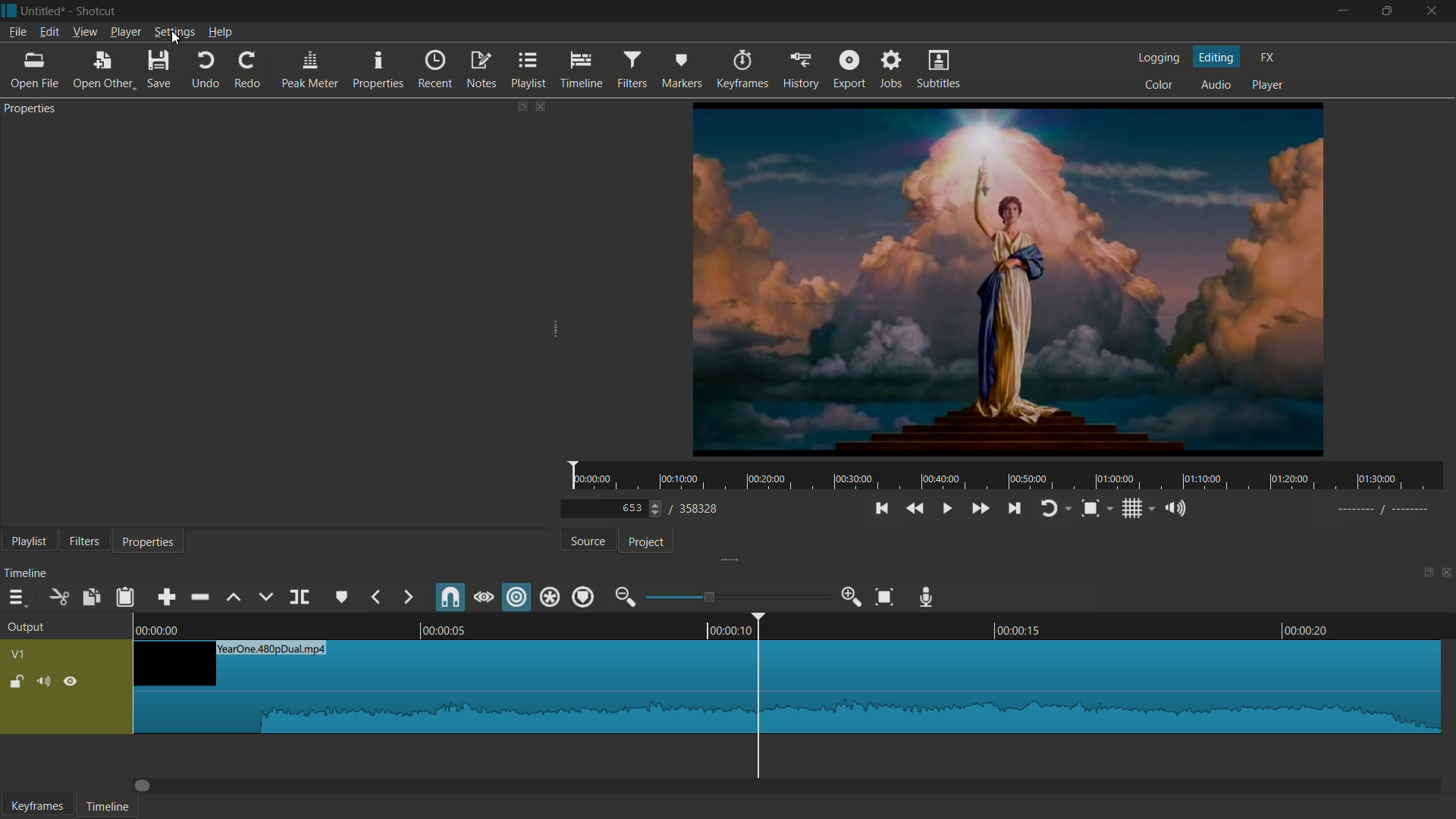  What do you see at coordinates (450, 598) in the screenshot?
I see `snap` at bounding box center [450, 598].